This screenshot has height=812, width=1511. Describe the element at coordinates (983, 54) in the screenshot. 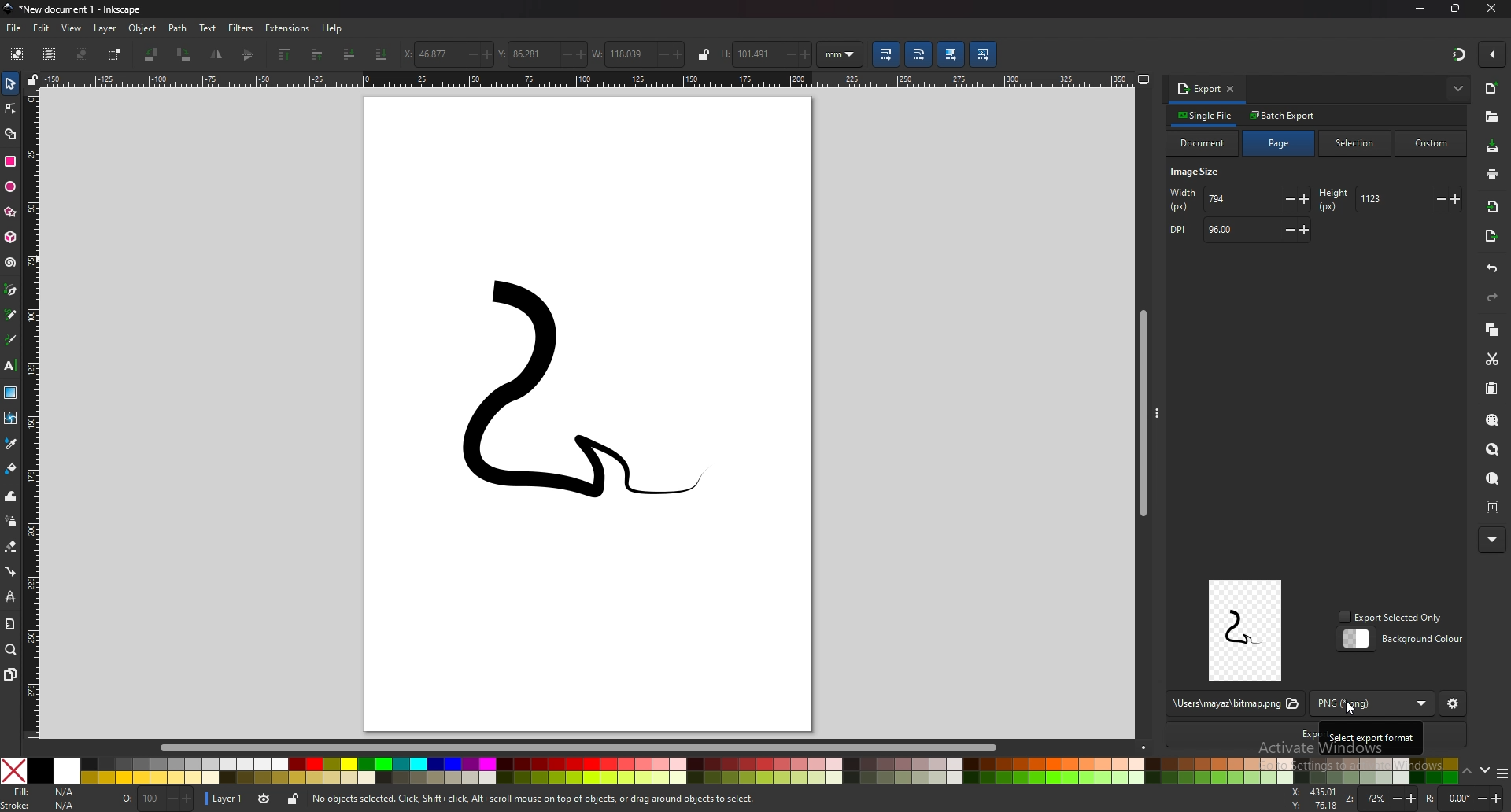

I see `move patterns` at that location.